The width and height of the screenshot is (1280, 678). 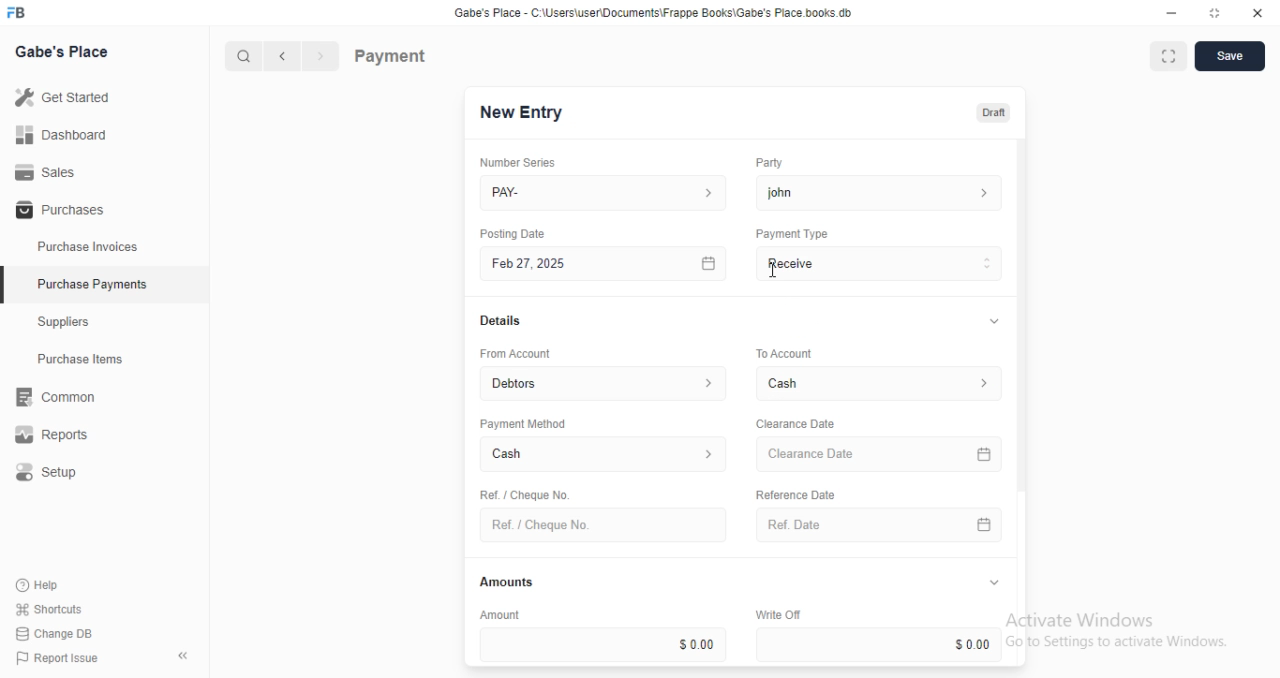 What do you see at coordinates (1022, 403) in the screenshot?
I see `vertical scroll bar` at bounding box center [1022, 403].